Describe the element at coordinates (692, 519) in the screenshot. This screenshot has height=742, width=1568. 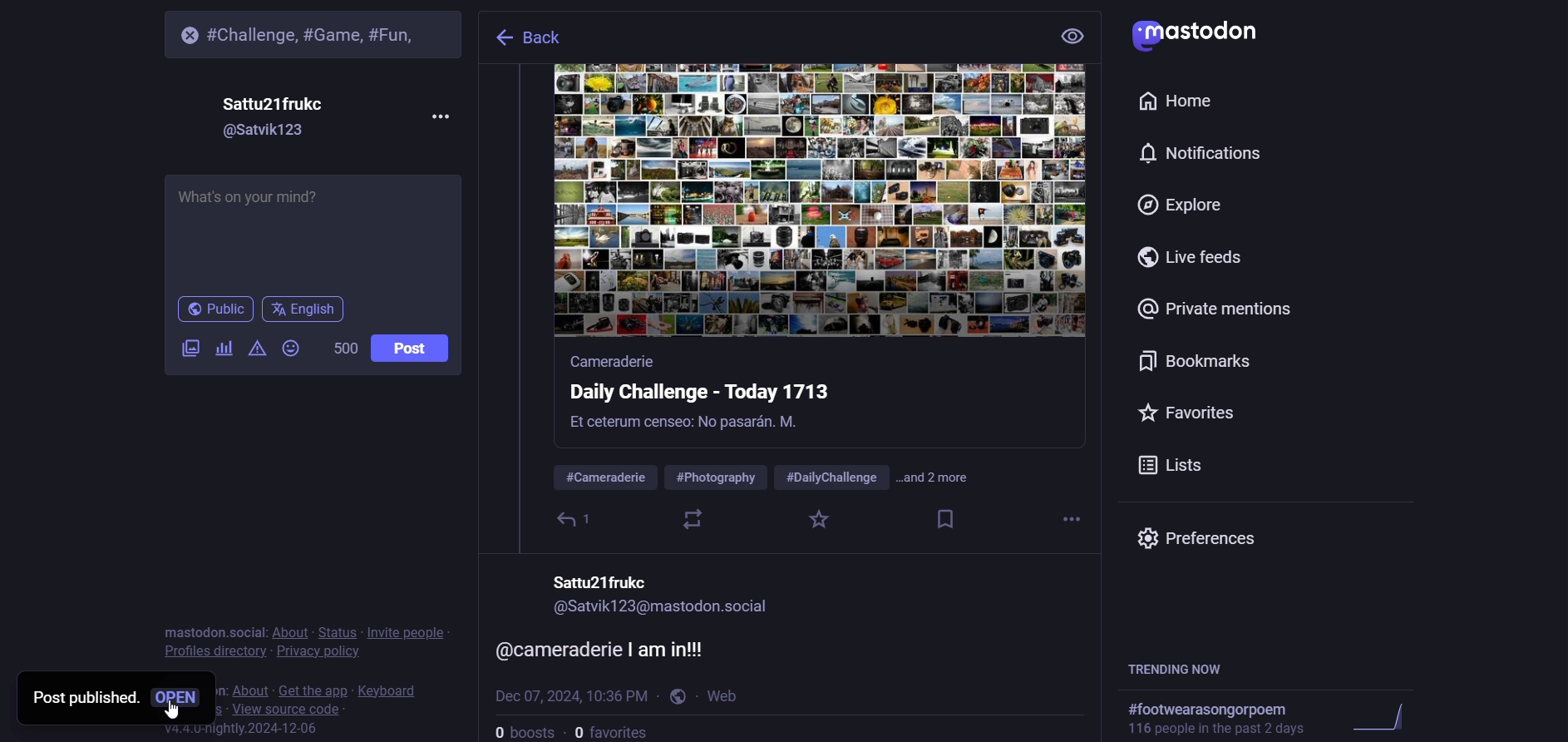
I see `boost` at that location.